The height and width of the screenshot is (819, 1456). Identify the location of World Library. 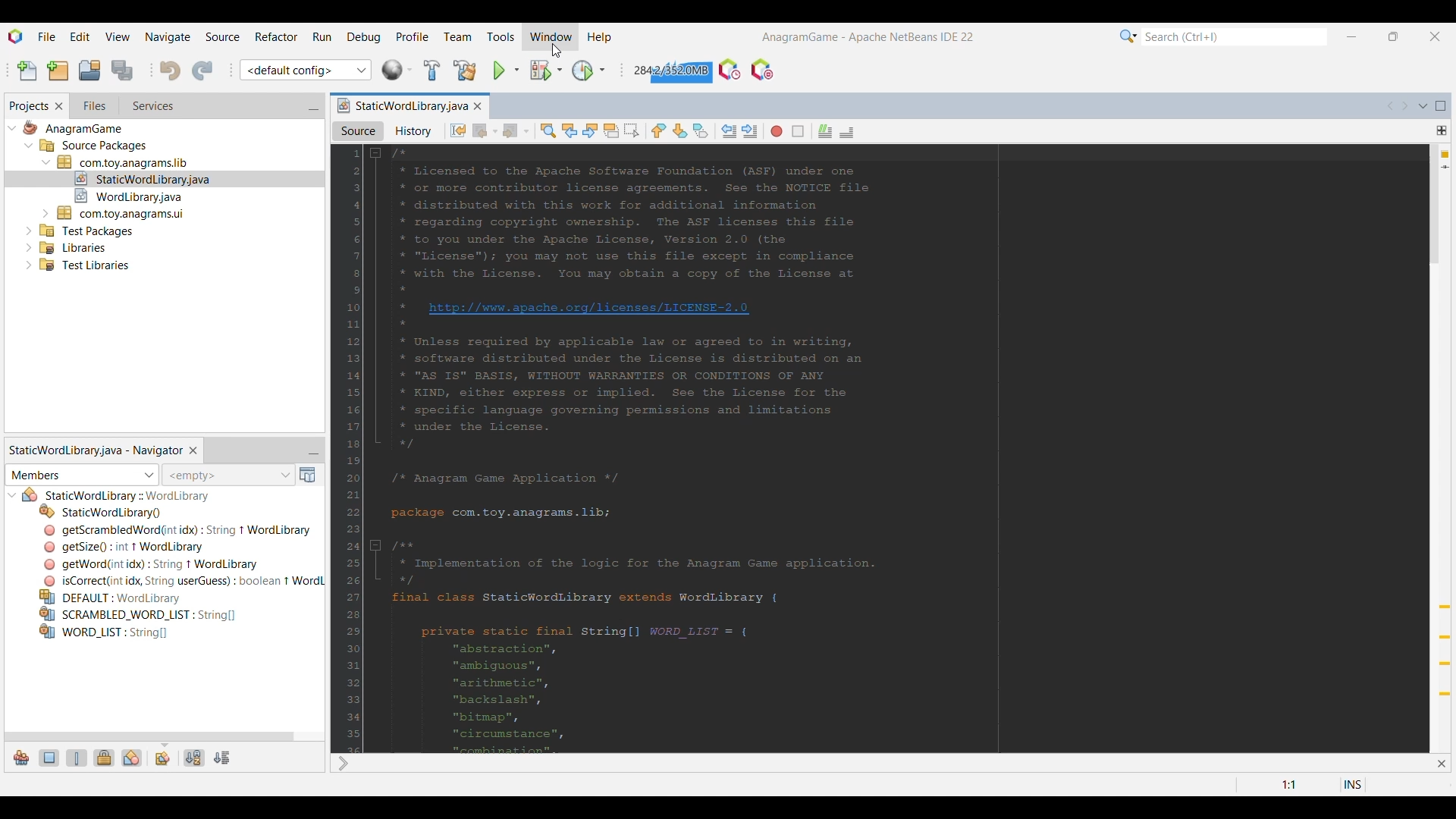
(397, 70).